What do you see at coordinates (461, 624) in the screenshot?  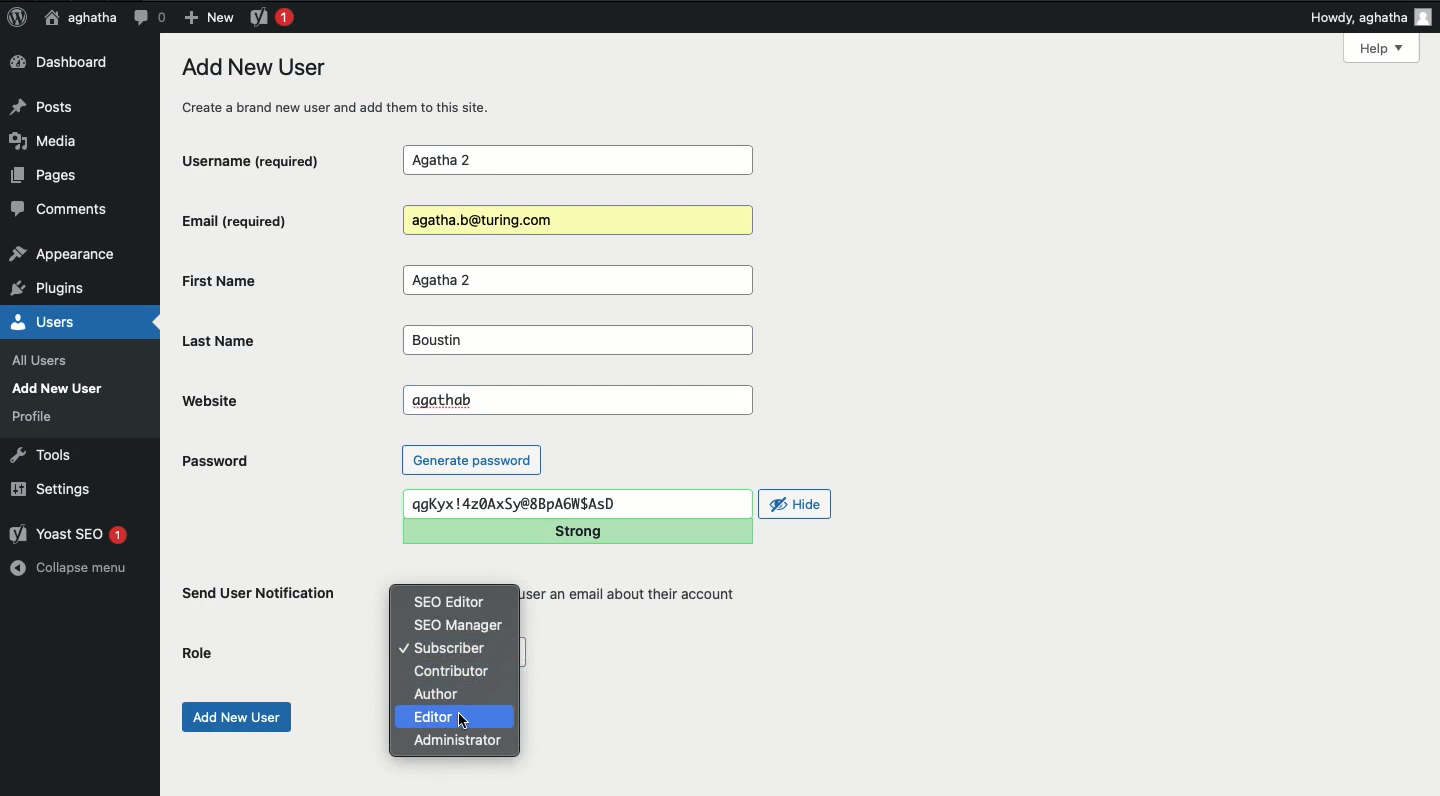 I see `SEO manager` at bounding box center [461, 624].